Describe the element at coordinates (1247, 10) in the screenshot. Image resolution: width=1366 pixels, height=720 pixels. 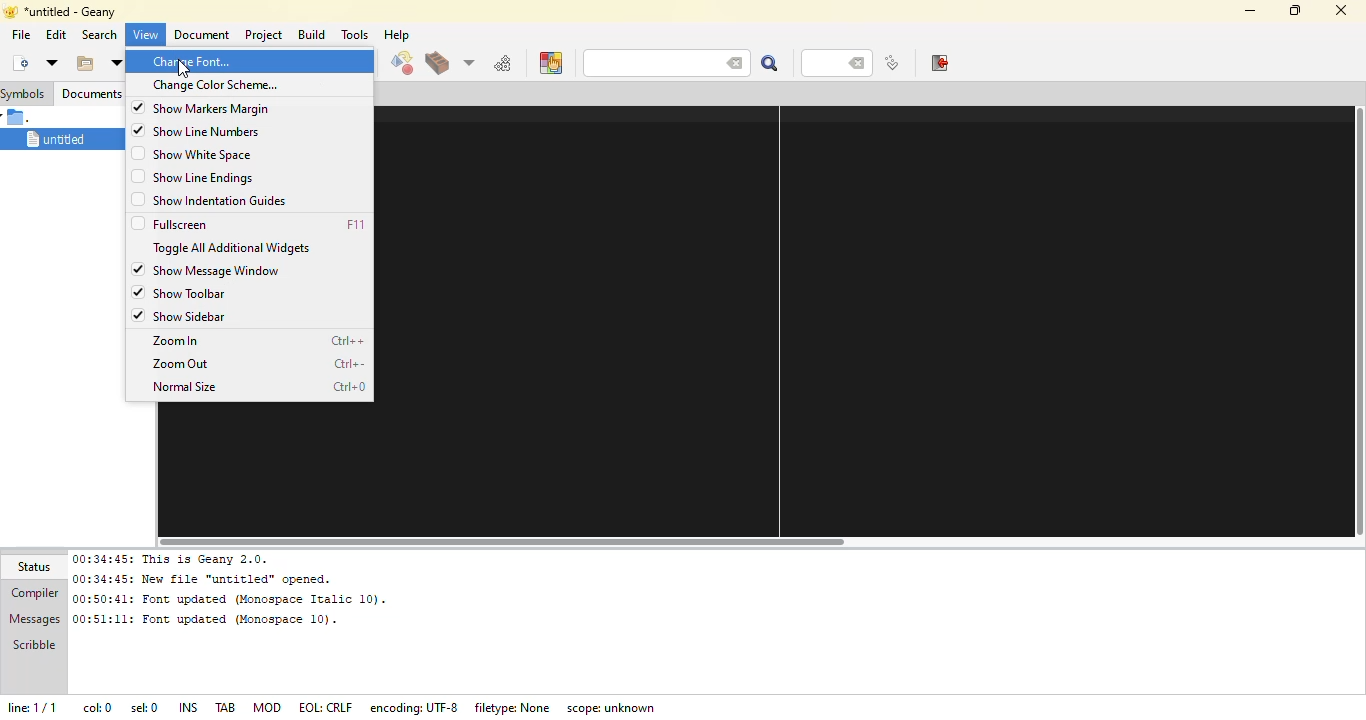
I see `minimize` at that location.